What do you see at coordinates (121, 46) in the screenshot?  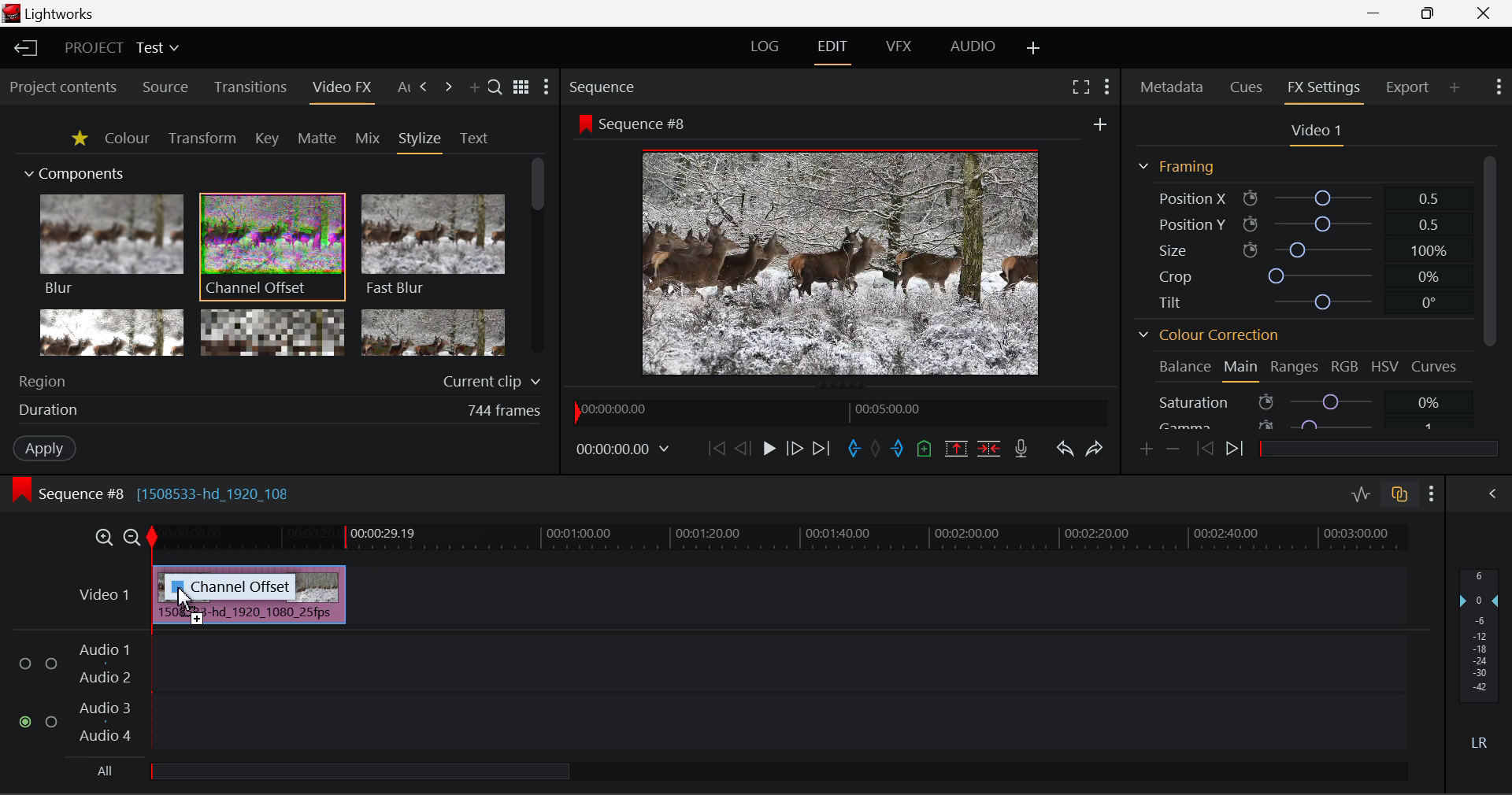 I see `Project Title` at bounding box center [121, 46].